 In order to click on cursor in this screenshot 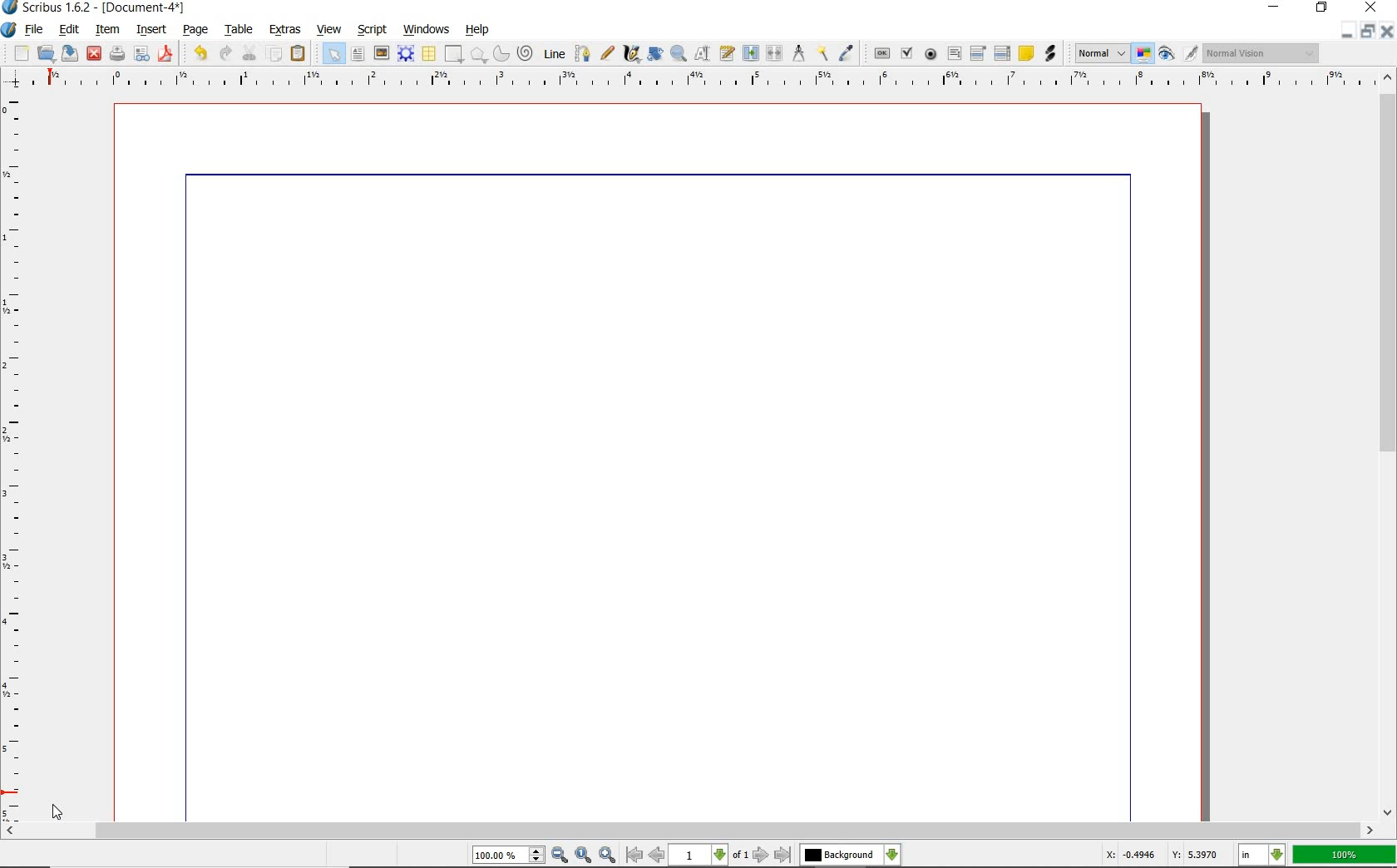, I will do `click(57, 813)`.